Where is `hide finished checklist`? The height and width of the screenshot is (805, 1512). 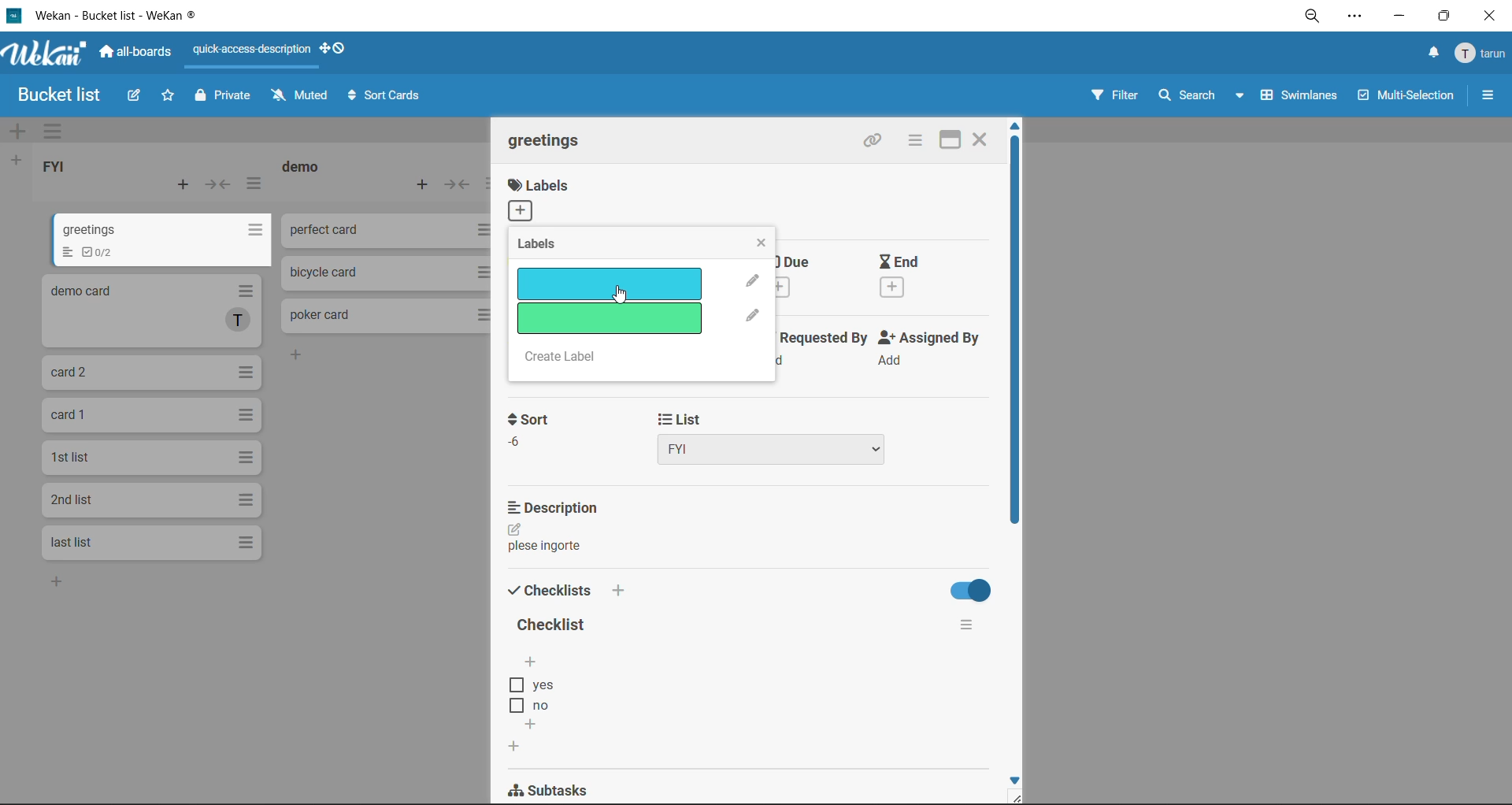 hide finished checklist is located at coordinates (966, 590).